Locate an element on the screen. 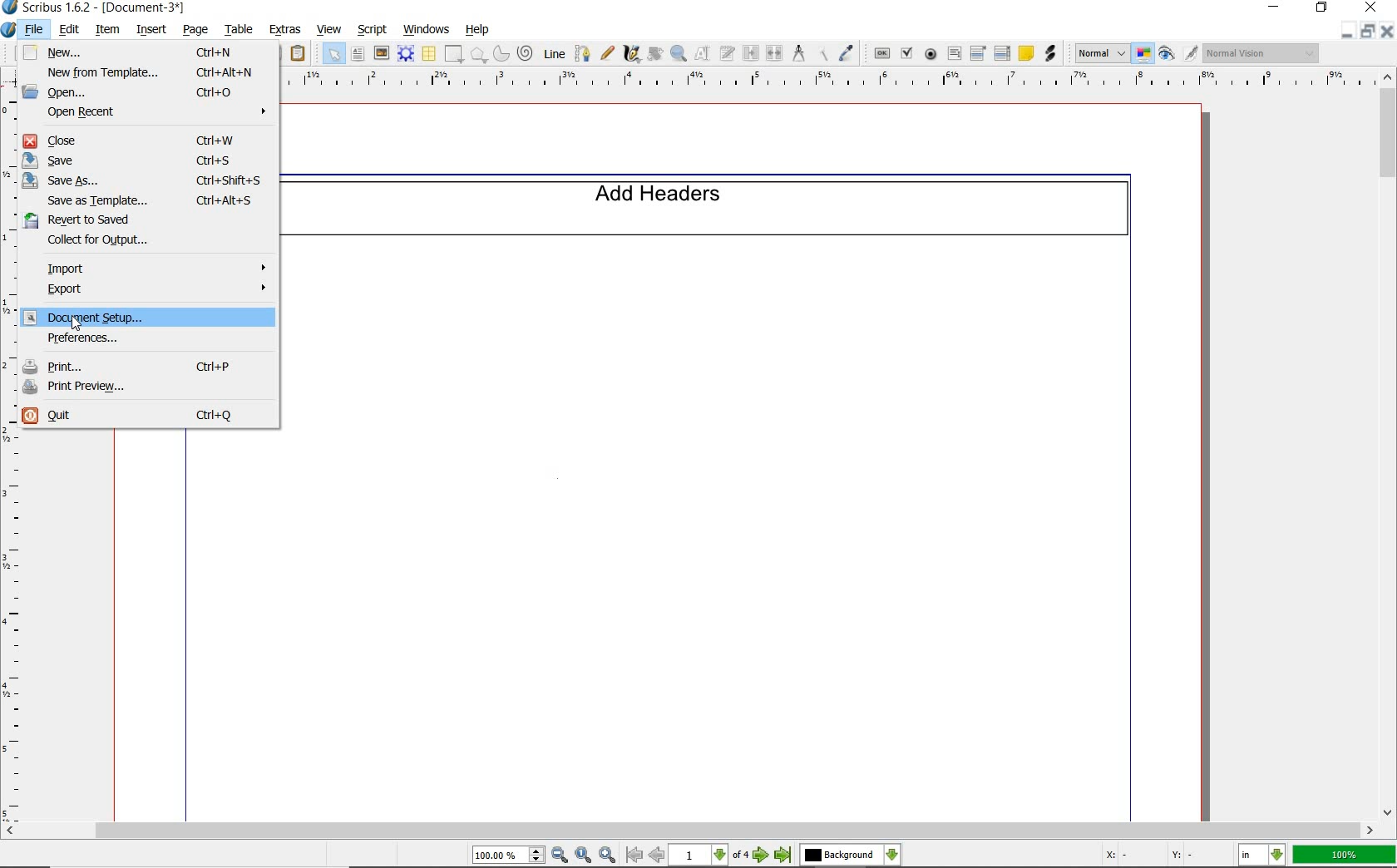 This screenshot has width=1397, height=868. spiral is located at coordinates (526, 52).